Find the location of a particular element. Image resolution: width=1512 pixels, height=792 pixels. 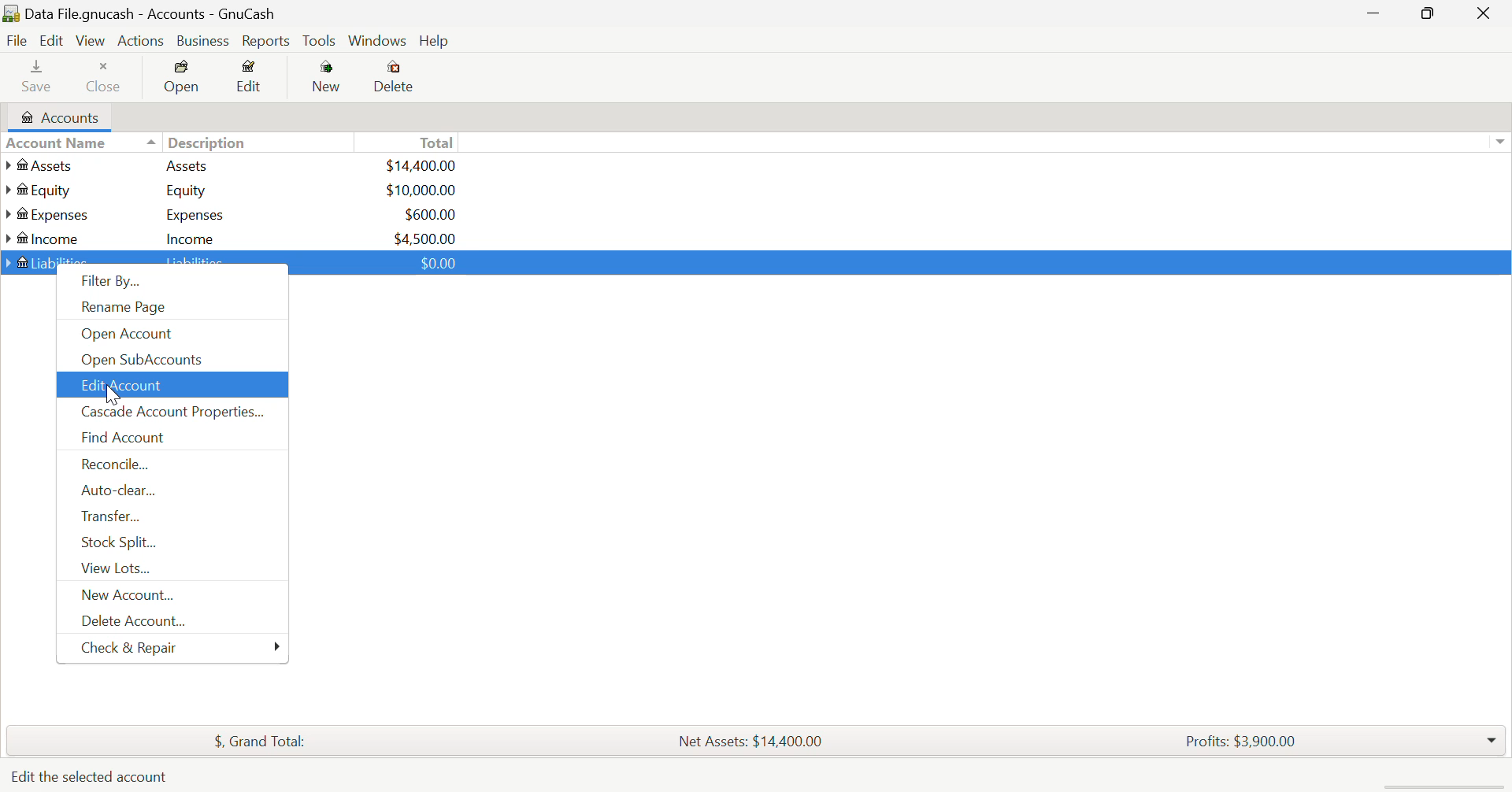

Application Tip is located at coordinates (91, 778).